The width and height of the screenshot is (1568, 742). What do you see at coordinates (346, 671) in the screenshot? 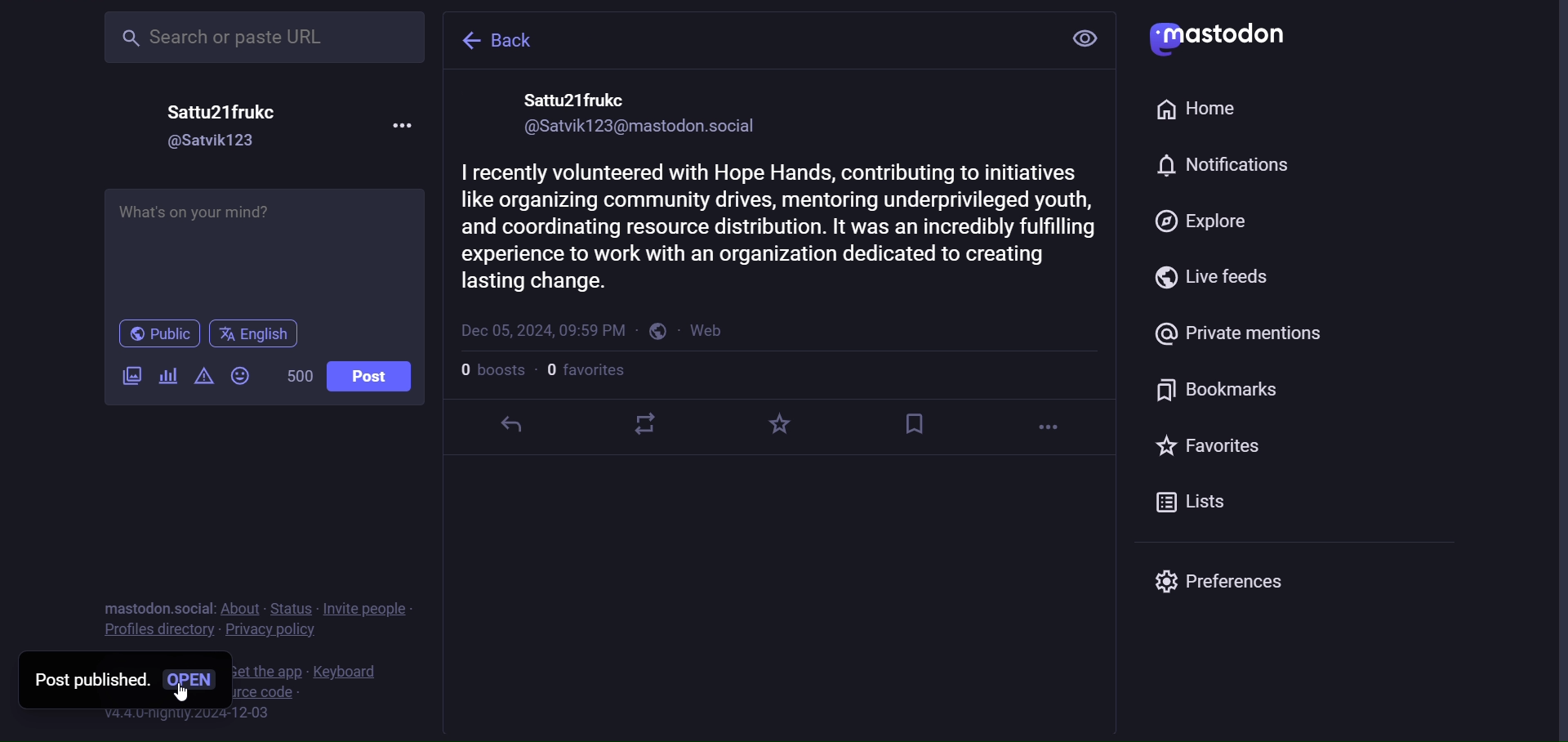
I see `keyboard` at bounding box center [346, 671].